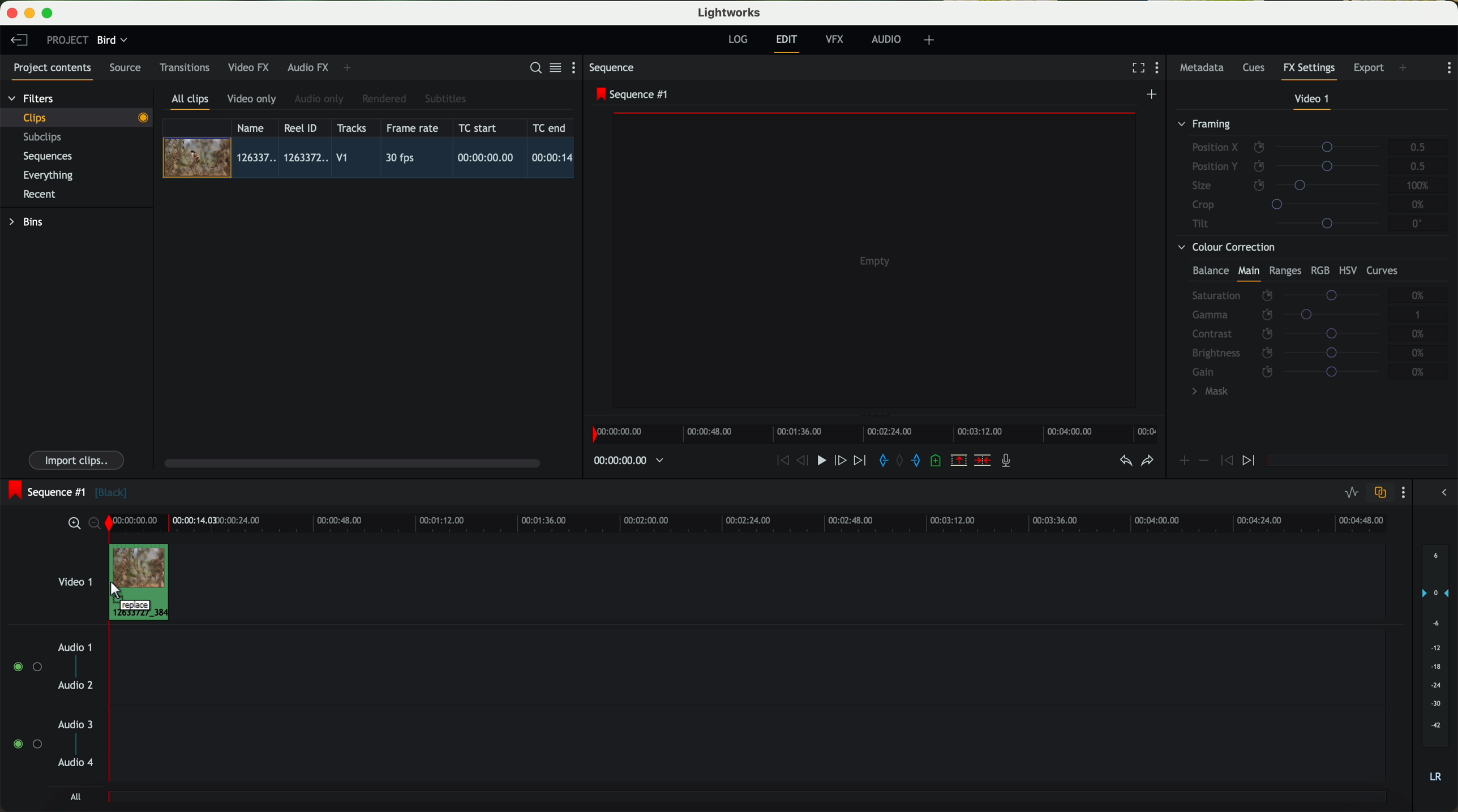  What do you see at coordinates (1204, 68) in the screenshot?
I see `metadata` at bounding box center [1204, 68].